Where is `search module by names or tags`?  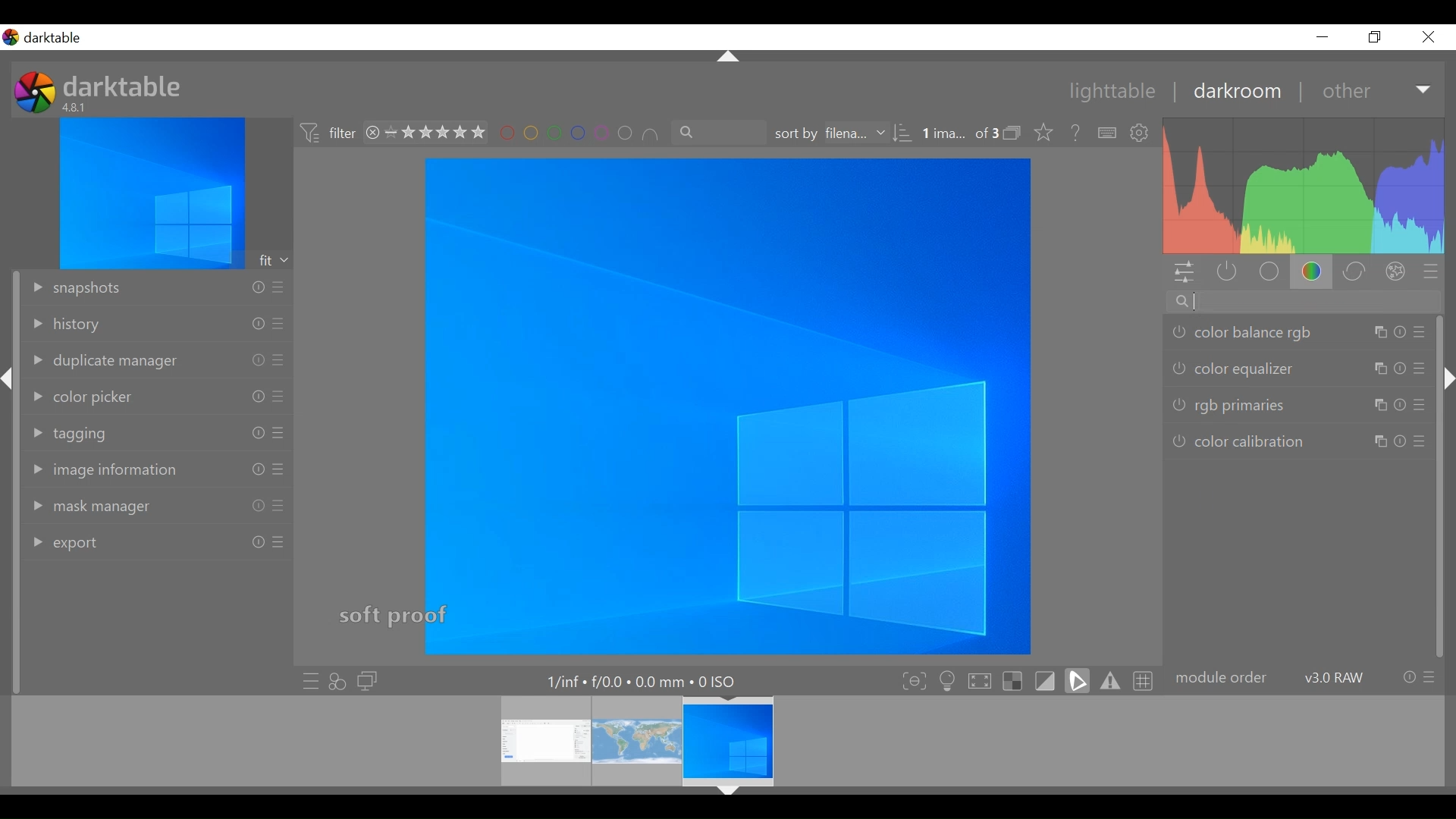 search module by names or tags is located at coordinates (1304, 301).